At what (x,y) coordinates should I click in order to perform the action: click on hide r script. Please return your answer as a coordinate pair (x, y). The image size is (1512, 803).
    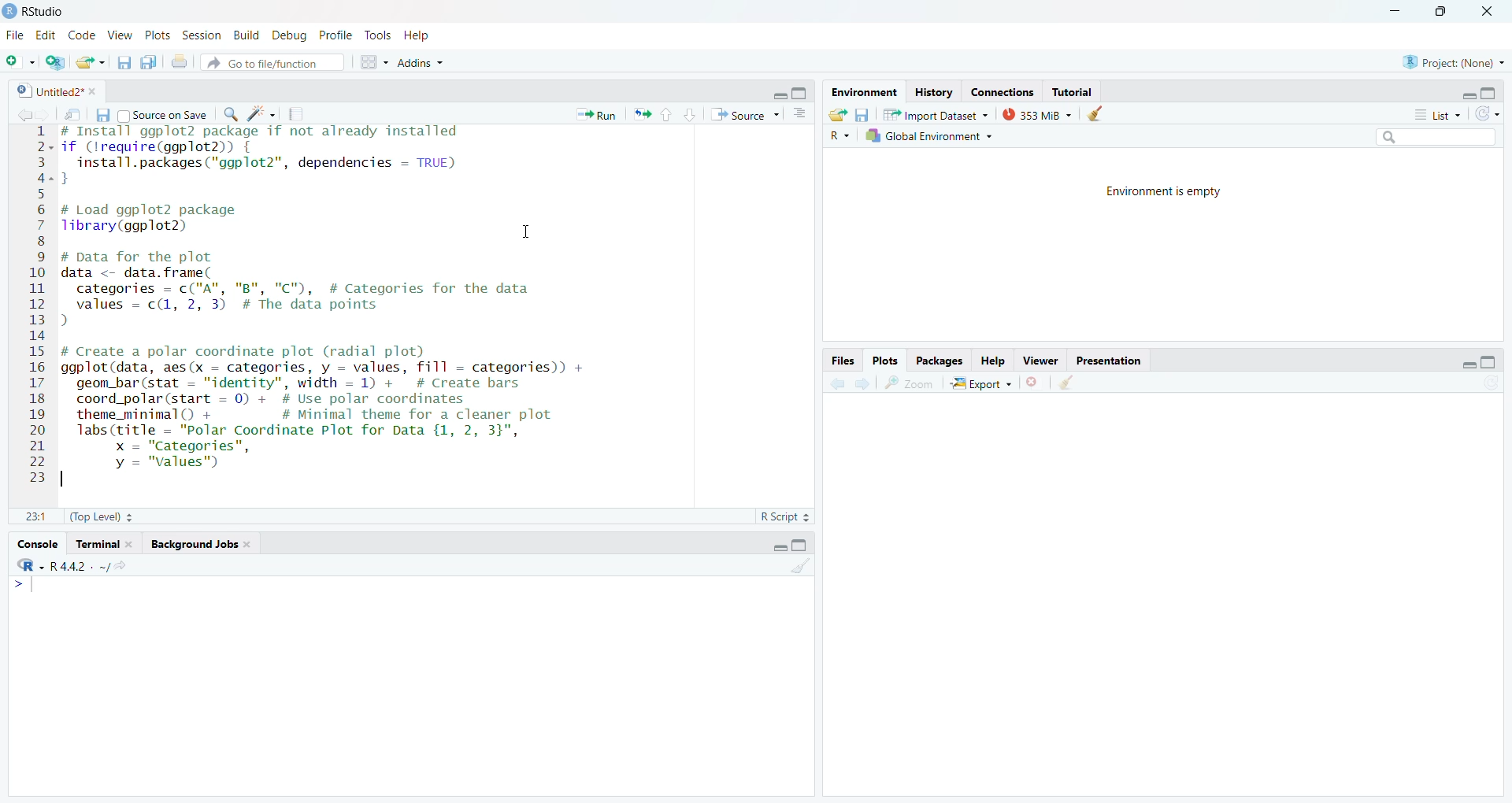
    Looking at the image, I should click on (1462, 92).